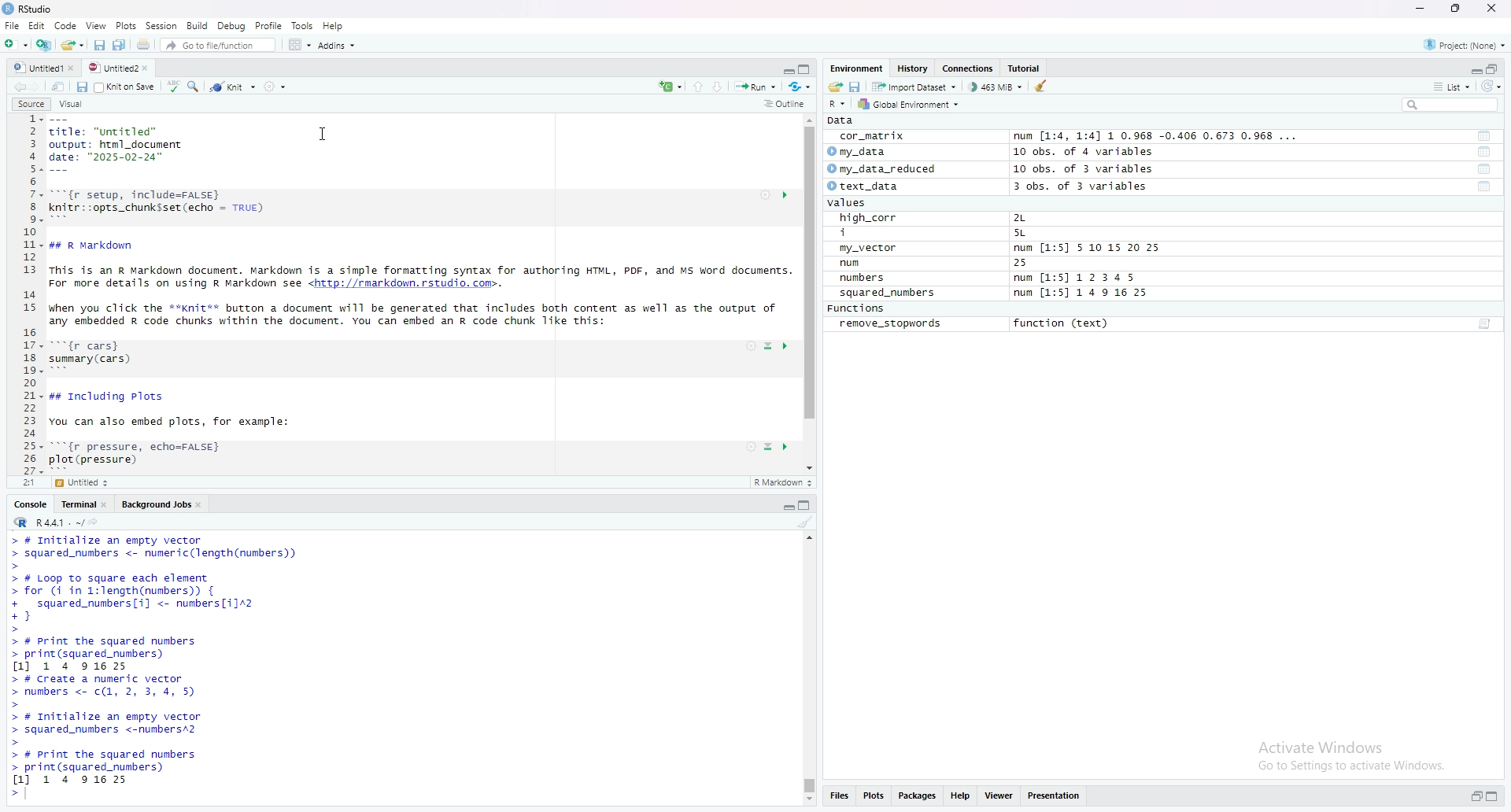 The width and height of the screenshot is (1511, 812). Describe the element at coordinates (1453, 105) in the screenshot. I see `search` at that location.